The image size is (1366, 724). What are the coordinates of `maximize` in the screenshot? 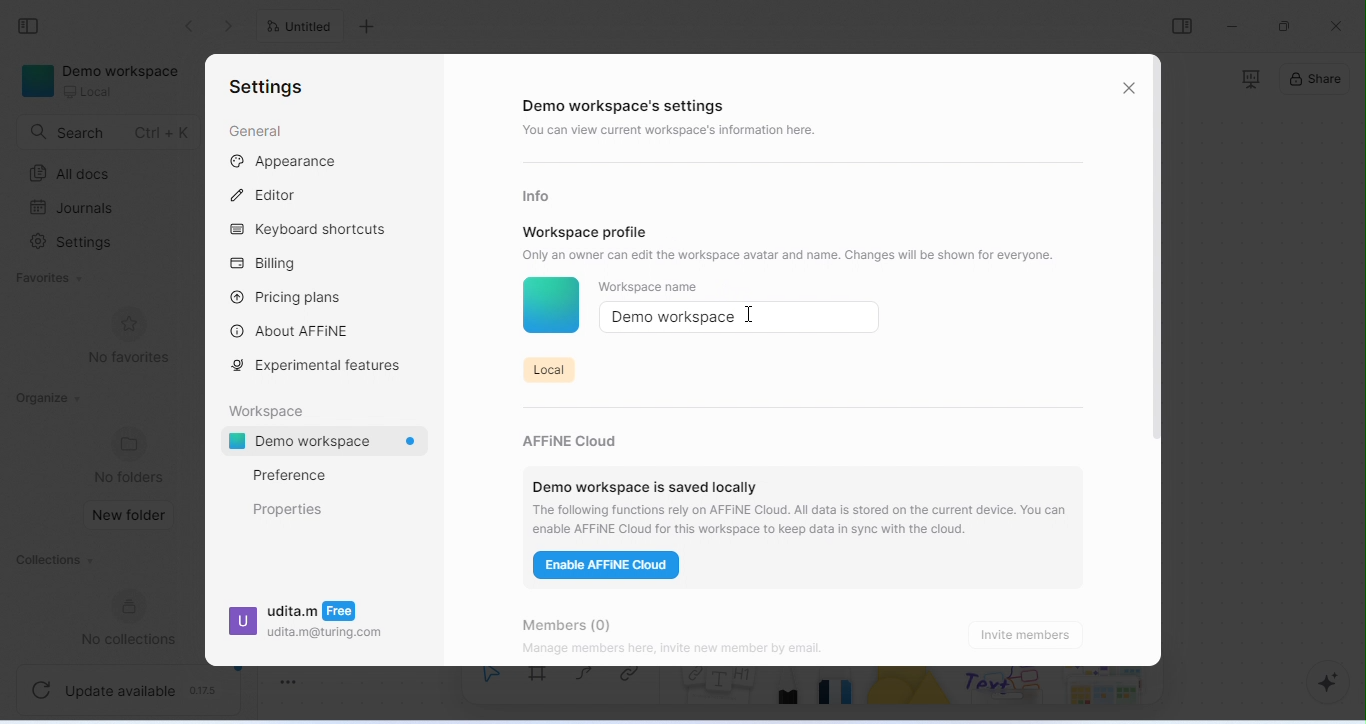 It's located at (1287, 25).